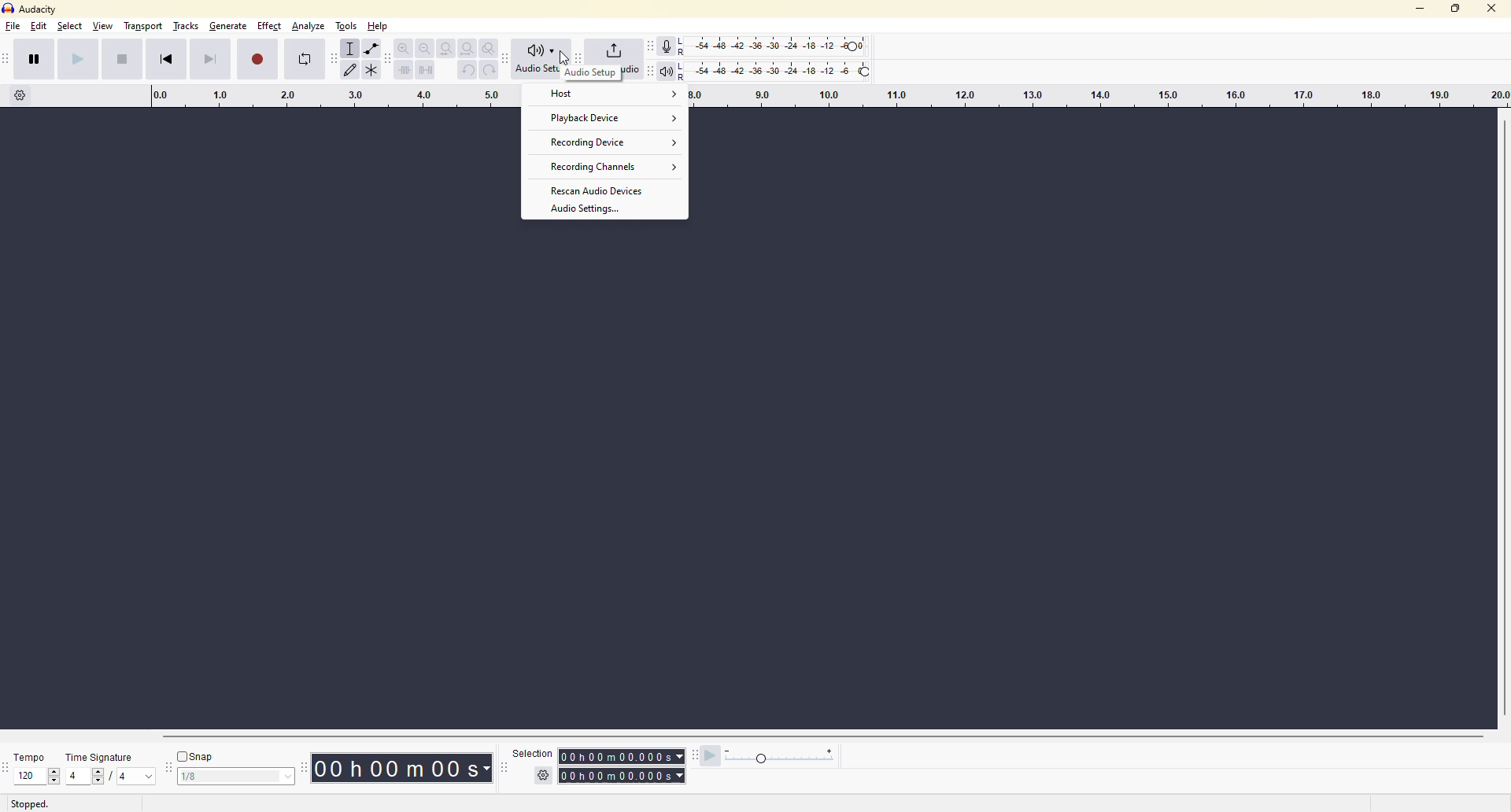 The height and width of the screenshot is (812, 1511). I want to click on Vertical Scrollbar, so click(1502, 412).